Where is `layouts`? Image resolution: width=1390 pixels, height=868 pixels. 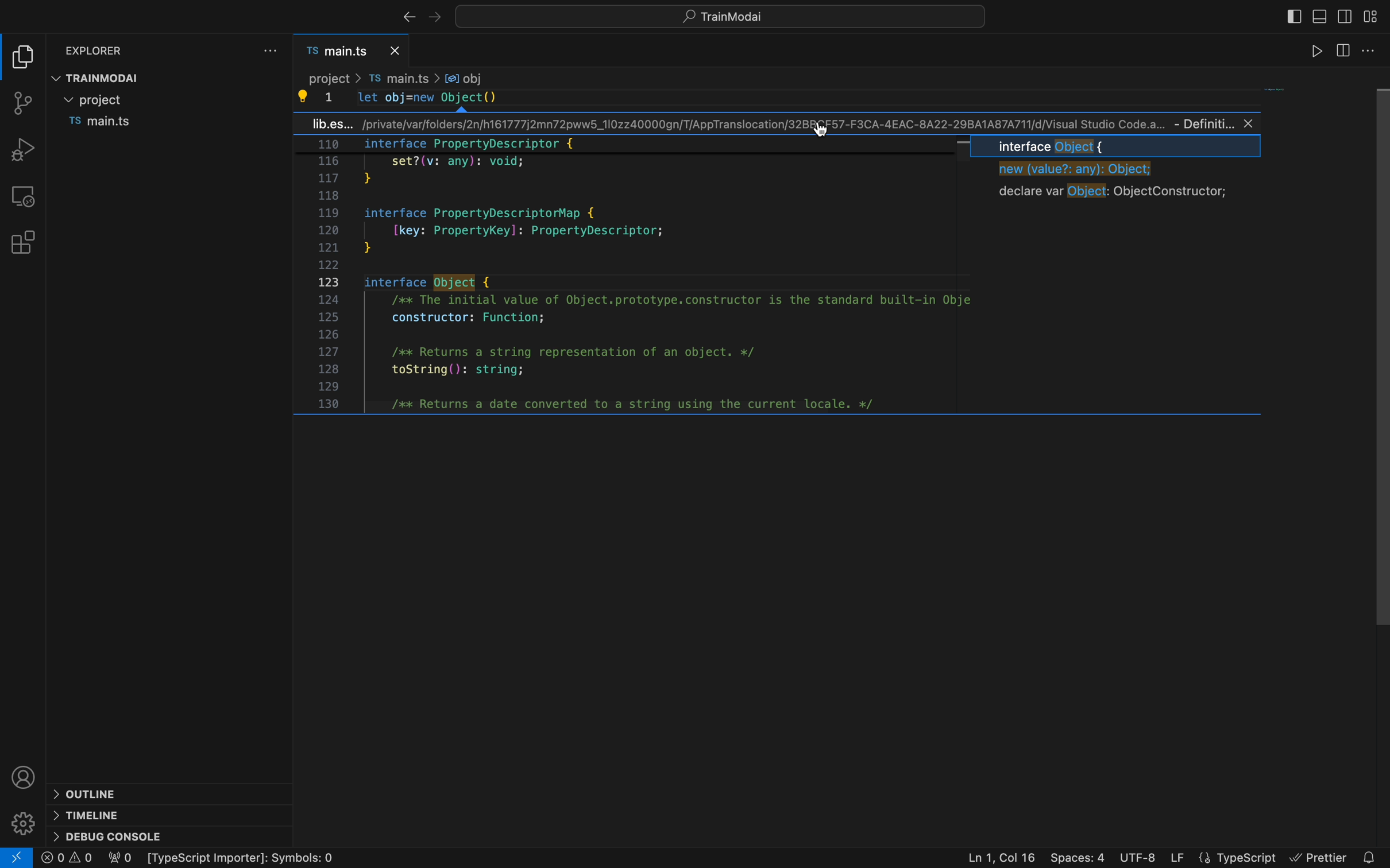
layouts is located at coordinates (1372, 17).